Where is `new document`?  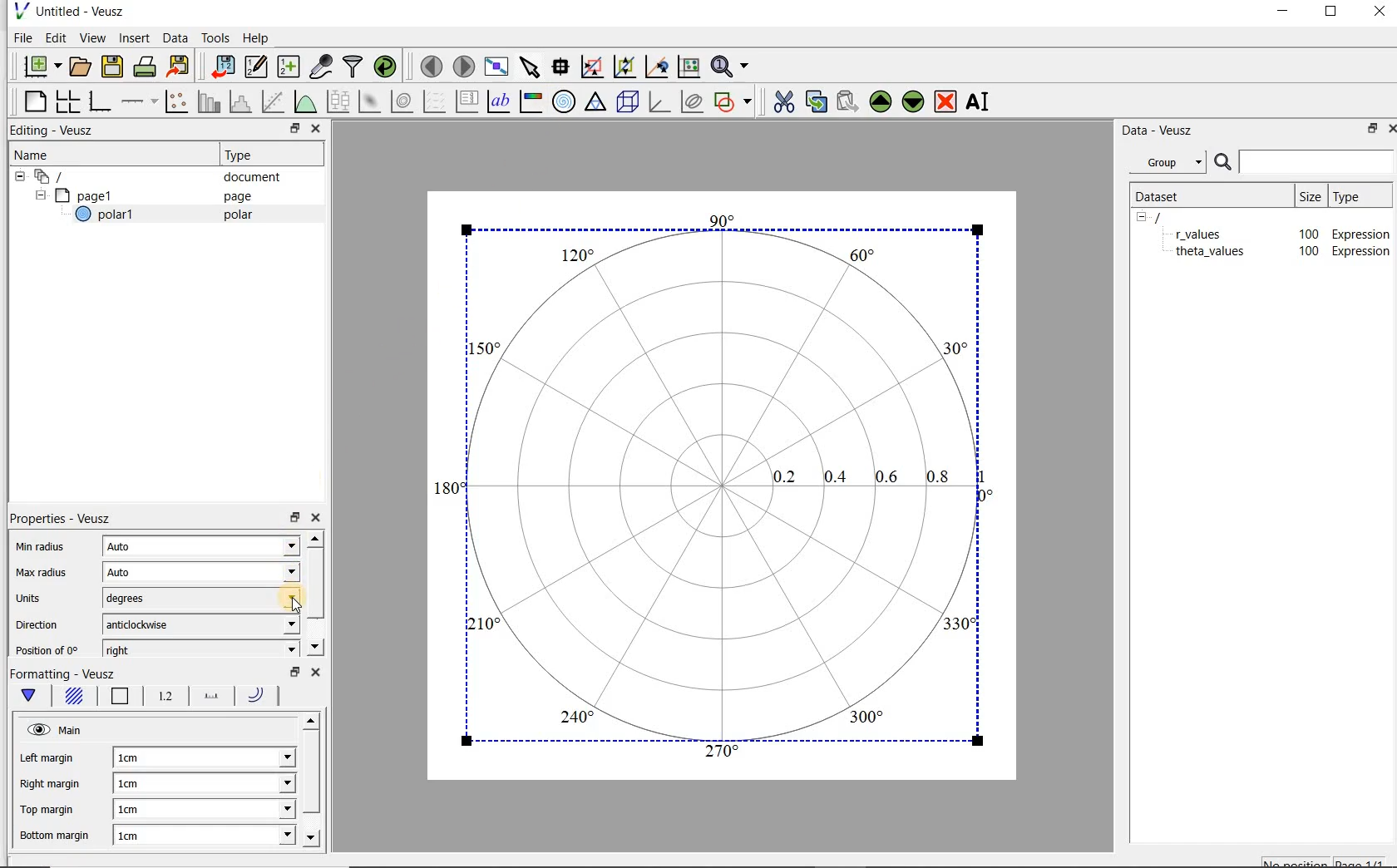 new document is located at coordinates (38, 64).